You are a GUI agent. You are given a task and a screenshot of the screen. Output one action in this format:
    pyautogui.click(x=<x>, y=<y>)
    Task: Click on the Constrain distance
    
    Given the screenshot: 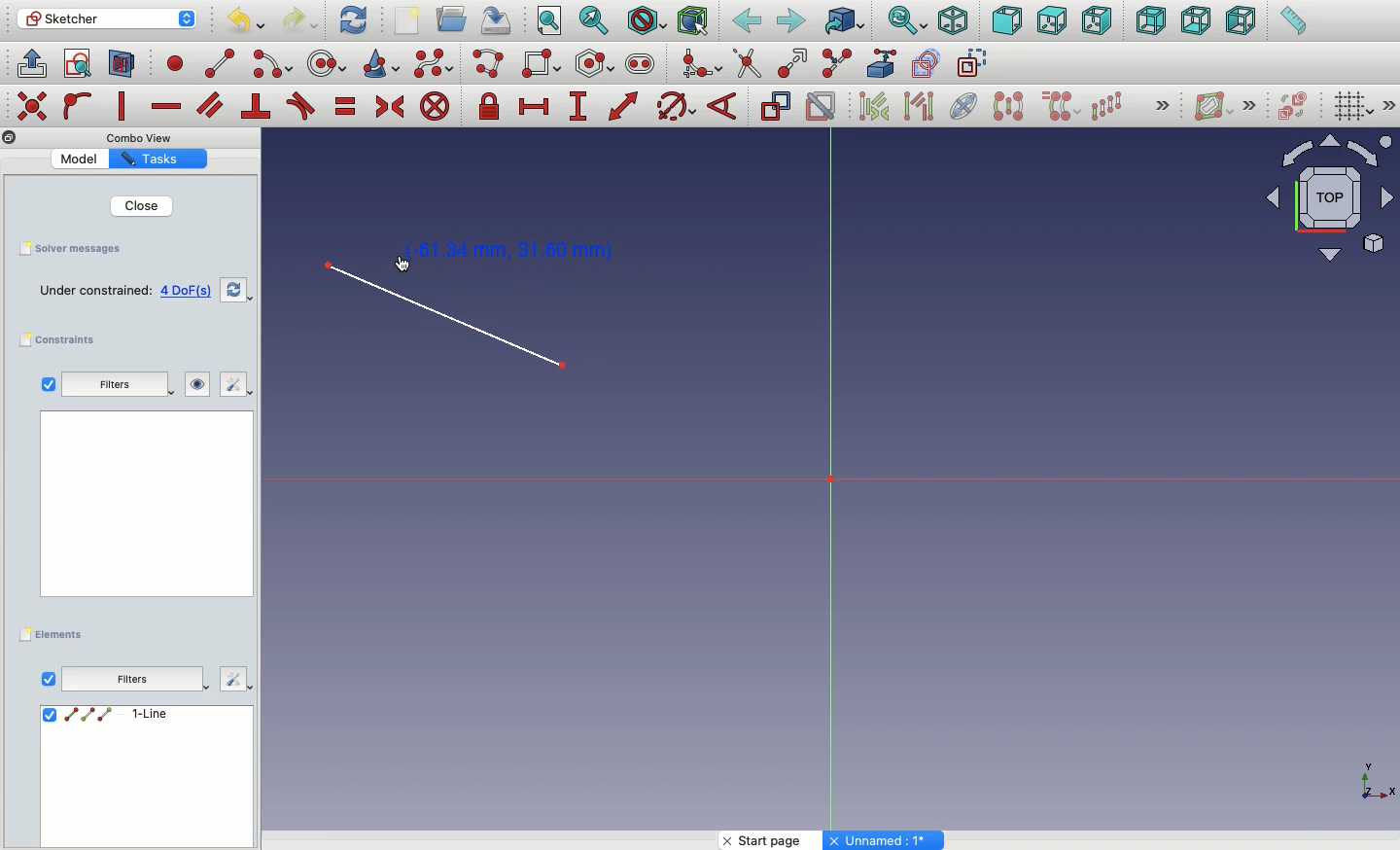 What is the action you would take?
    pyautogui.click(x=624, y=106)
    